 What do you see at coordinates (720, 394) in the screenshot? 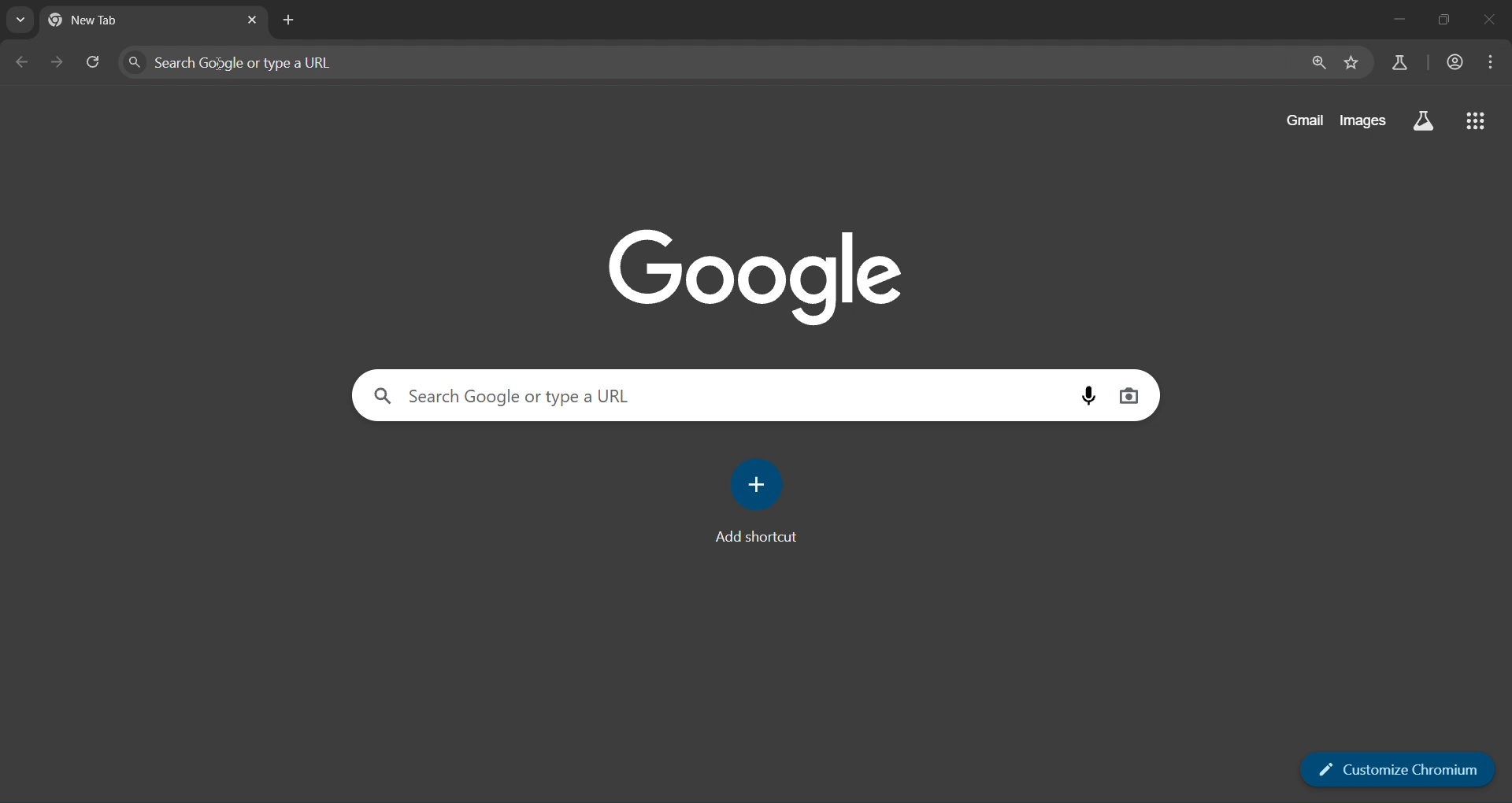
I see `search google or type a URL` at bounding box center [720, 394].